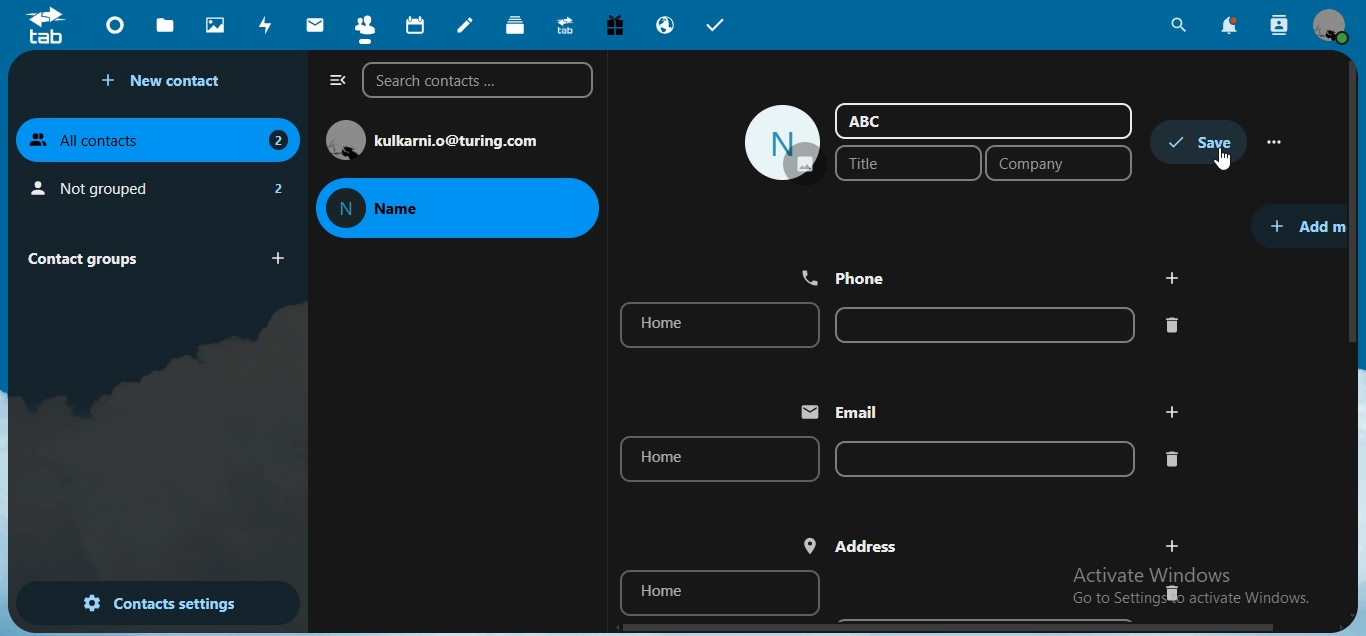 The height and width of the screenshot is (636, 1366). I want to click on contact, so click(364, 24).